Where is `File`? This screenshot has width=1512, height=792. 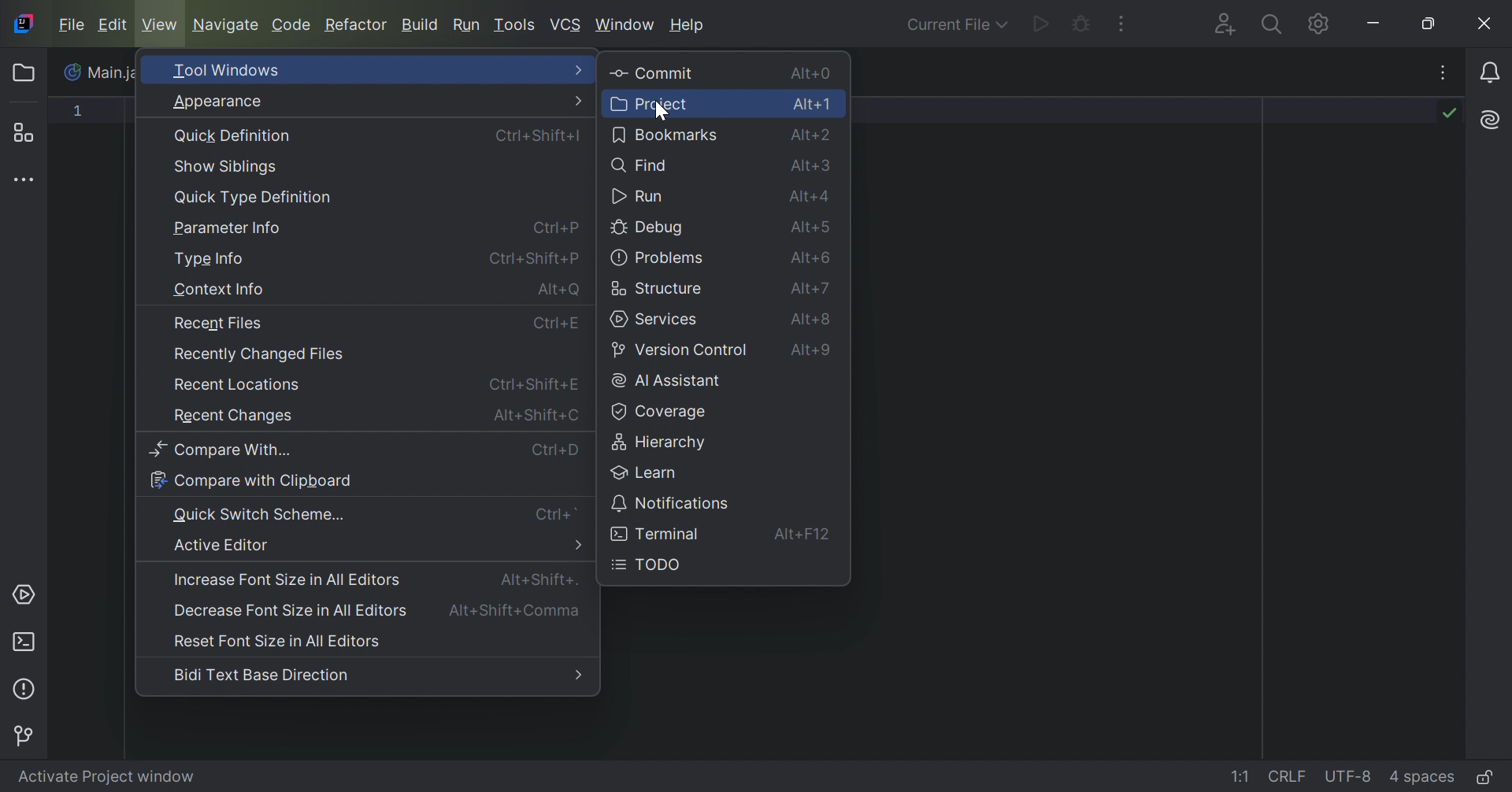 File is located at coordinates (69, 24).